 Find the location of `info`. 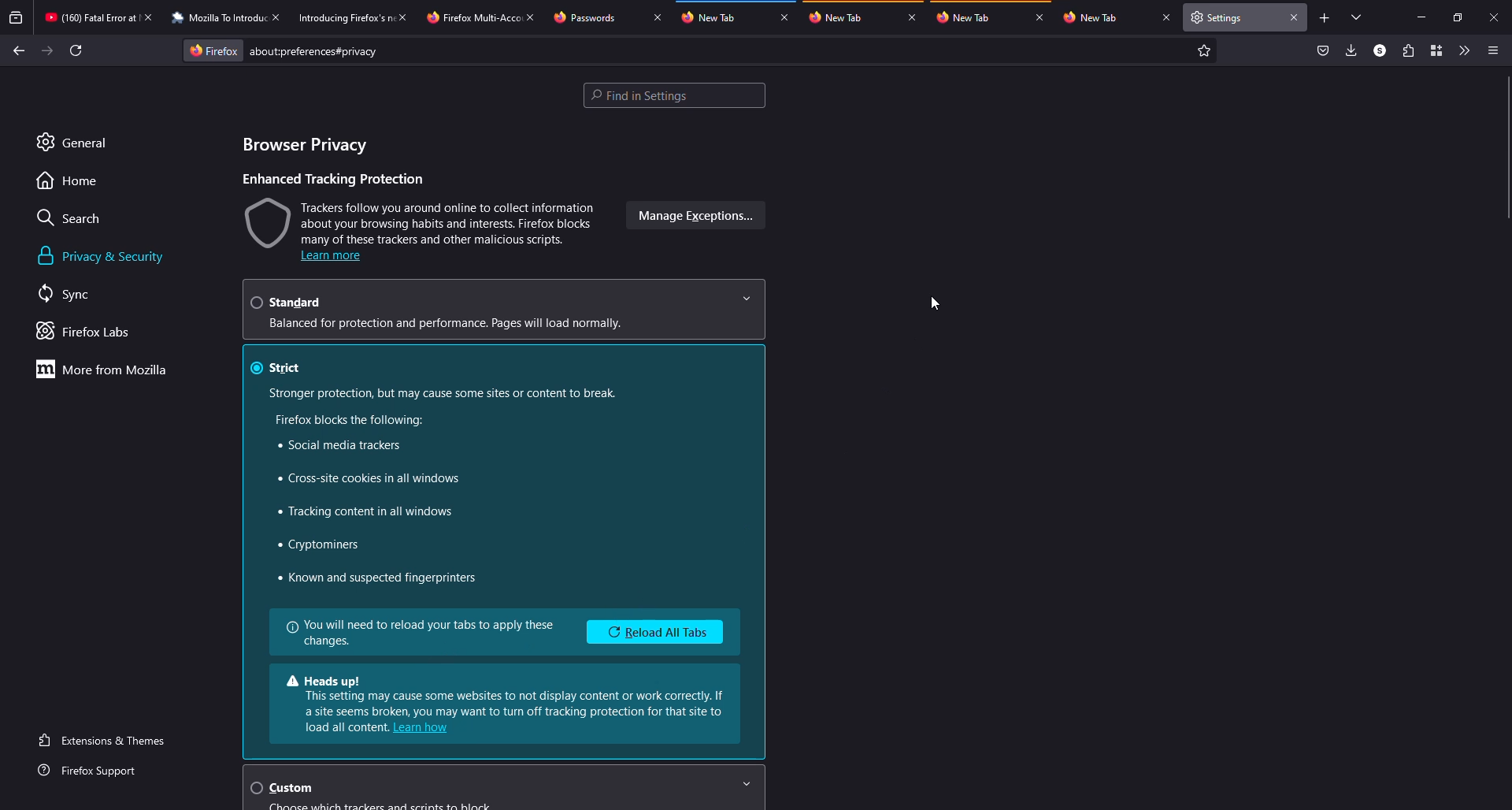

info is located at coordinates (339, 726).